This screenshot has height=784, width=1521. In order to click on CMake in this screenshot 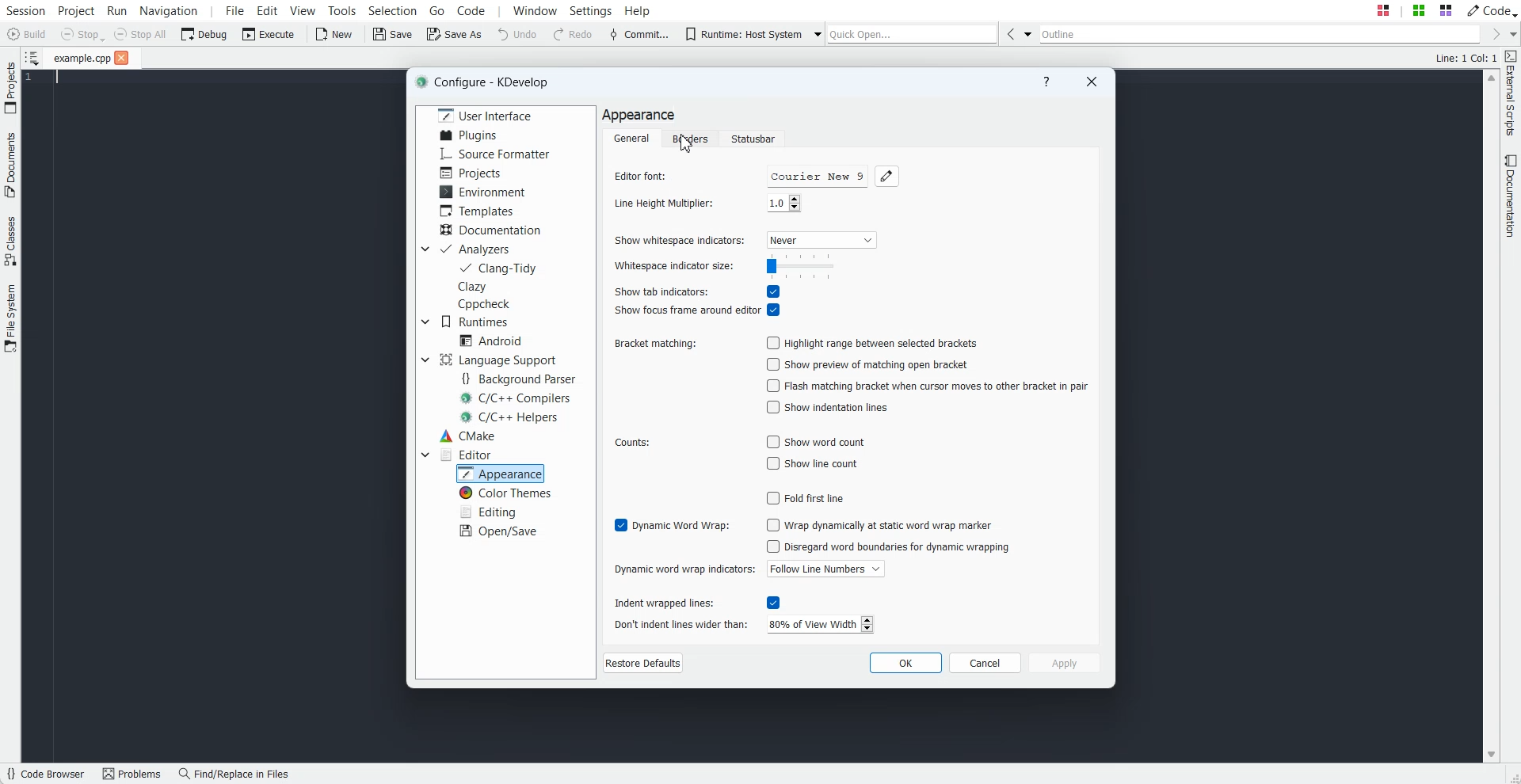, I will do `click(469, 436)`.